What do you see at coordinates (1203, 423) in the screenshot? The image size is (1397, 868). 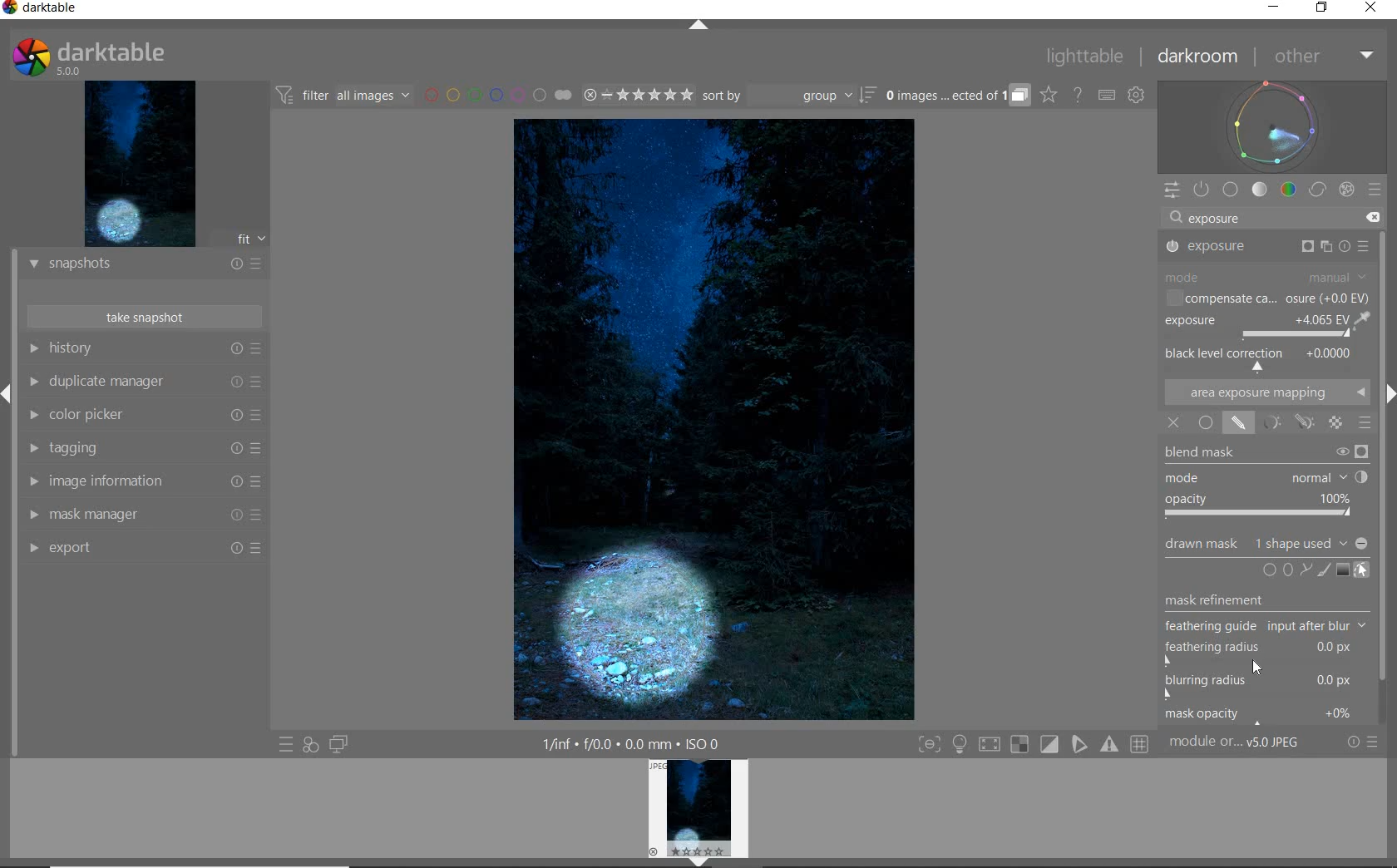 I see `UNIFORMLY` at bounding box center [1203, 423].